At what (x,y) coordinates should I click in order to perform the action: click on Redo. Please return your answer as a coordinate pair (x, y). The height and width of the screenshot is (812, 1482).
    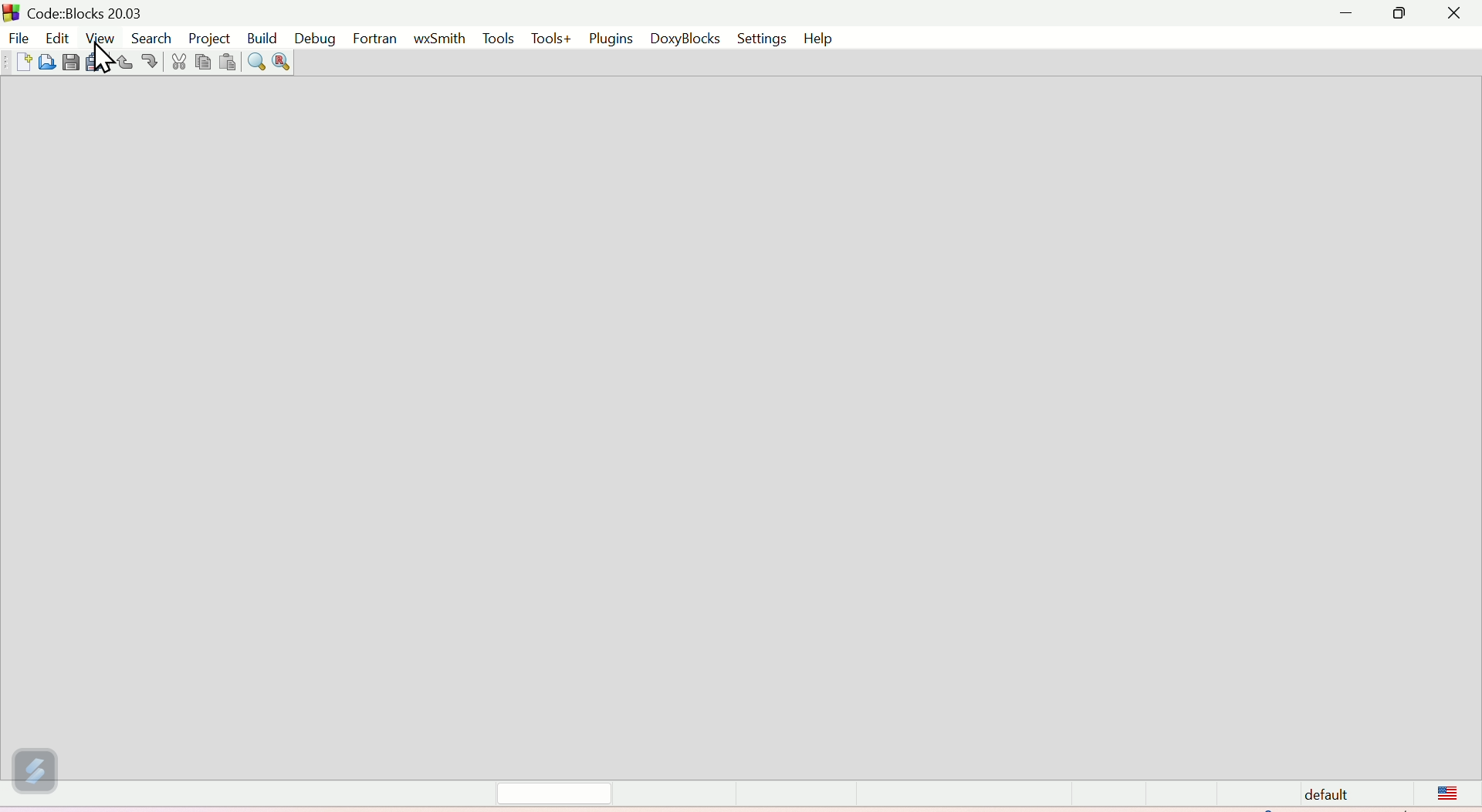
    Looking at the image, I should click on (149, 61).